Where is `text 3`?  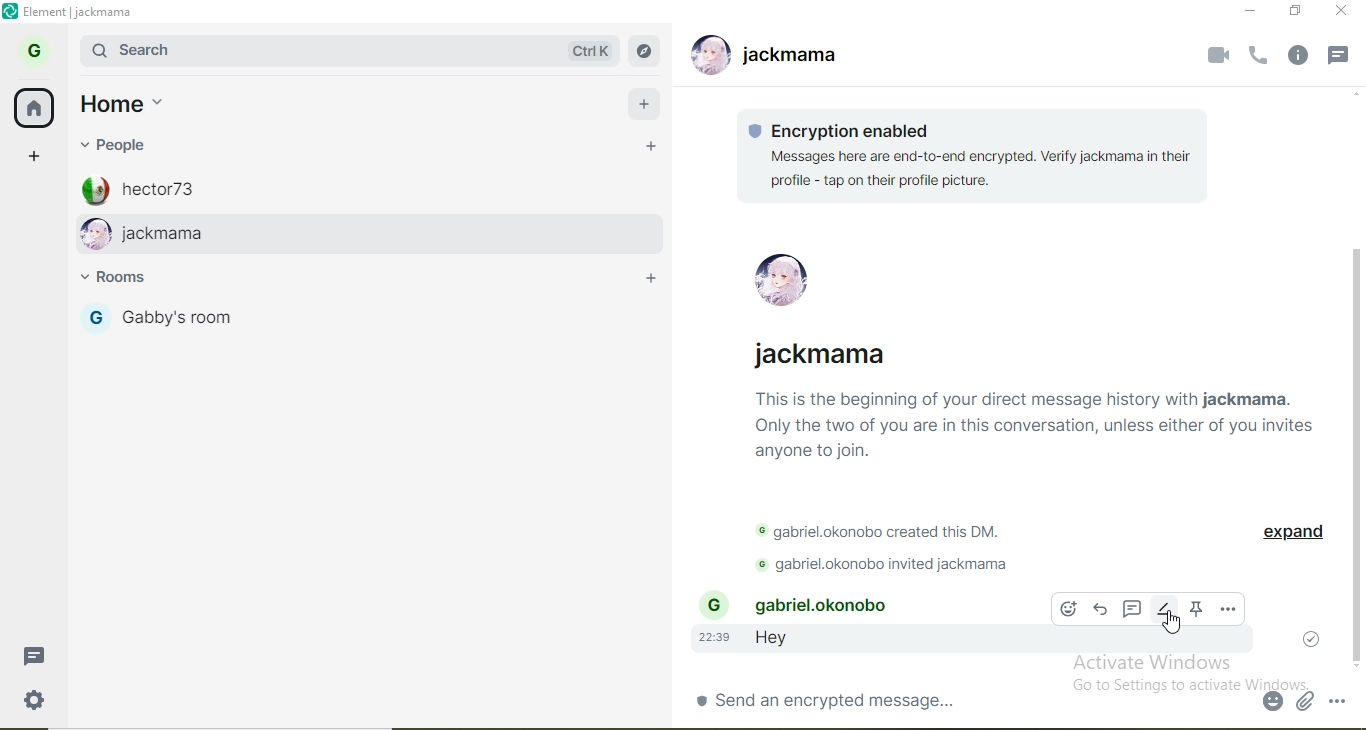
text 3 is located at coordinates (891, 528).